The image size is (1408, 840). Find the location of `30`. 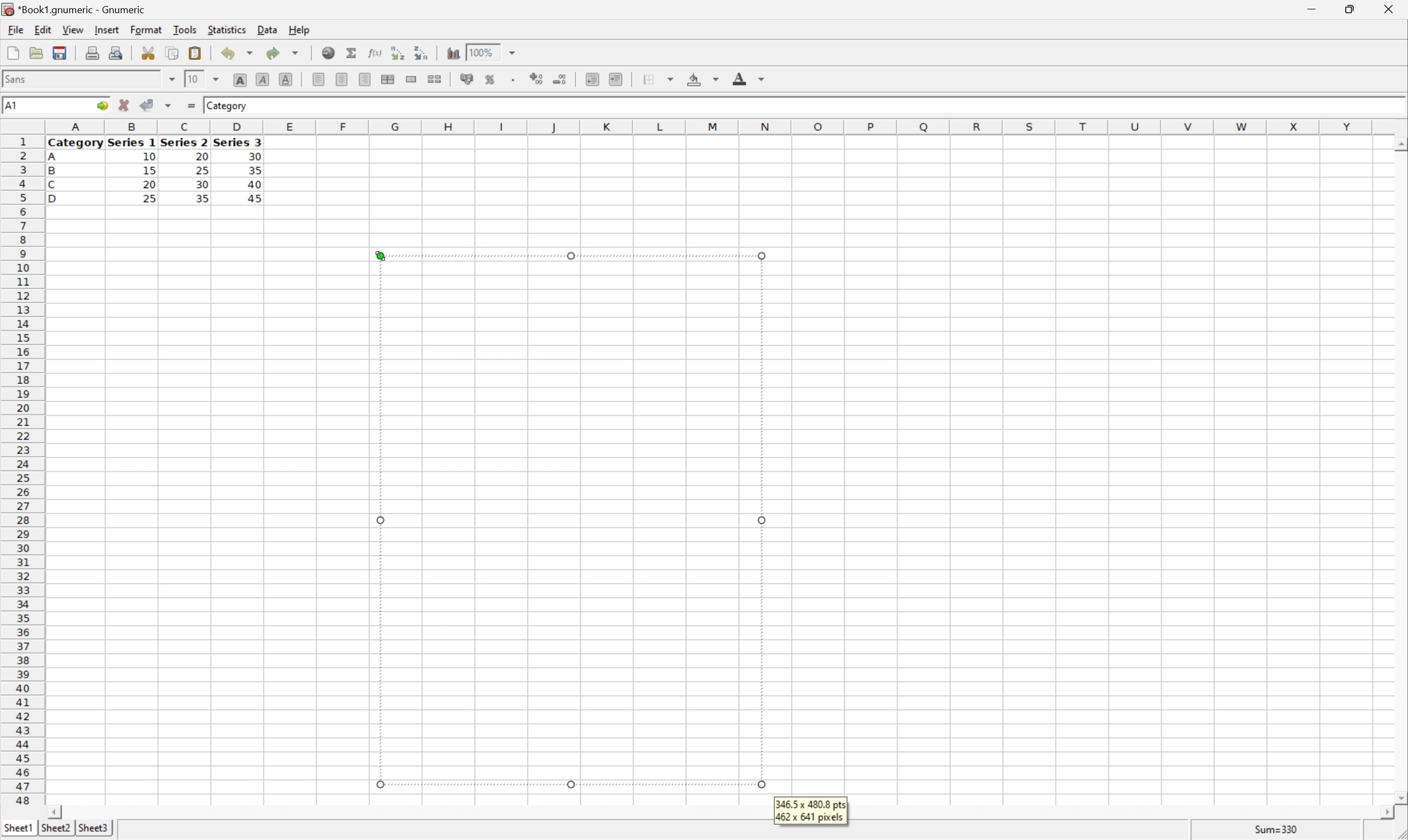

30 is located at coordinates (254, 156).